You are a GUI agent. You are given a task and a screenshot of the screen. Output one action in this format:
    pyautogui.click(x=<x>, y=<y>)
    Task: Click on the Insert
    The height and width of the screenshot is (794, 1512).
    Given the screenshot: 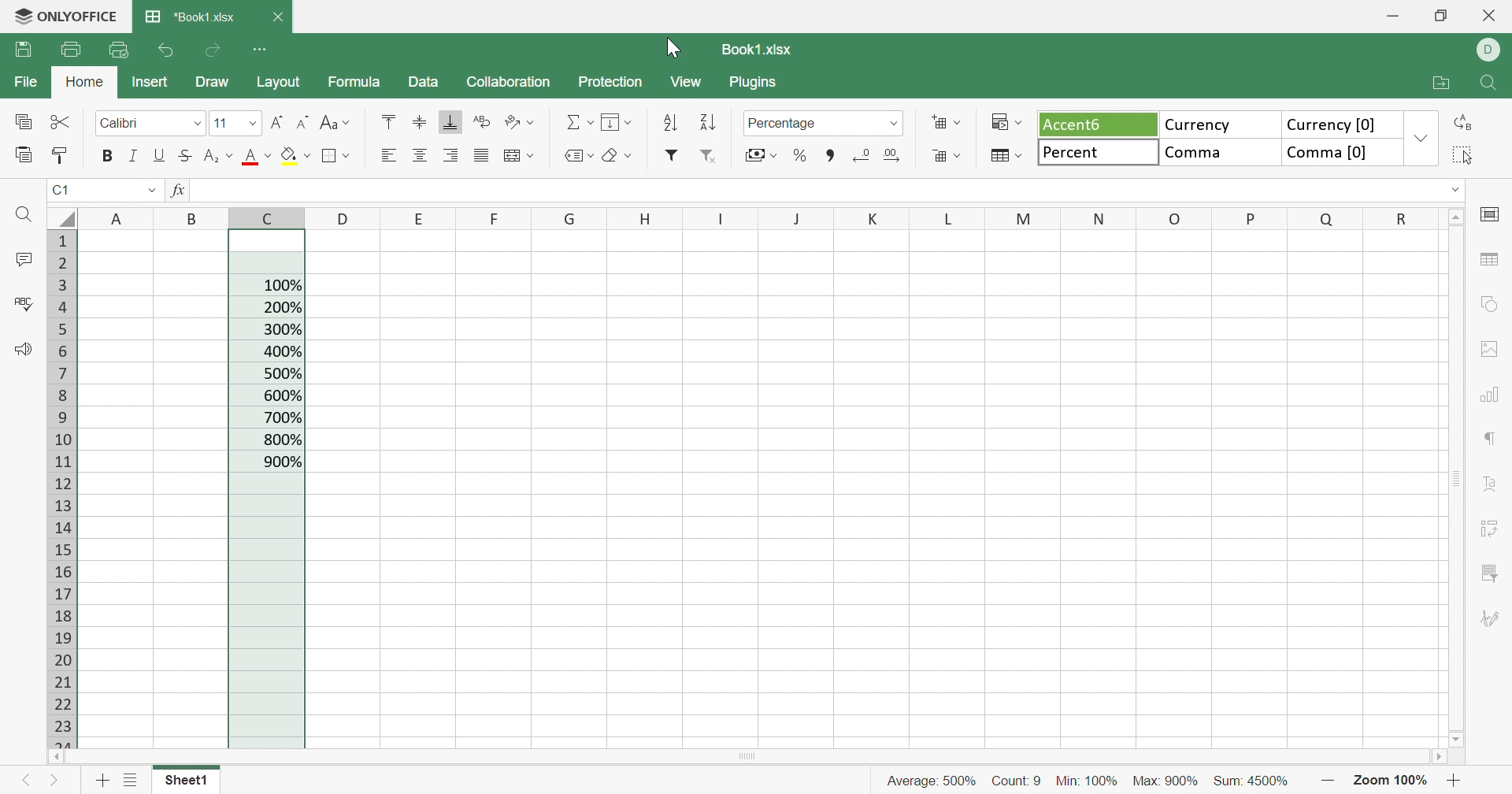 What is the action you would take?
    pyautogui.click(x=150, y=83)
    